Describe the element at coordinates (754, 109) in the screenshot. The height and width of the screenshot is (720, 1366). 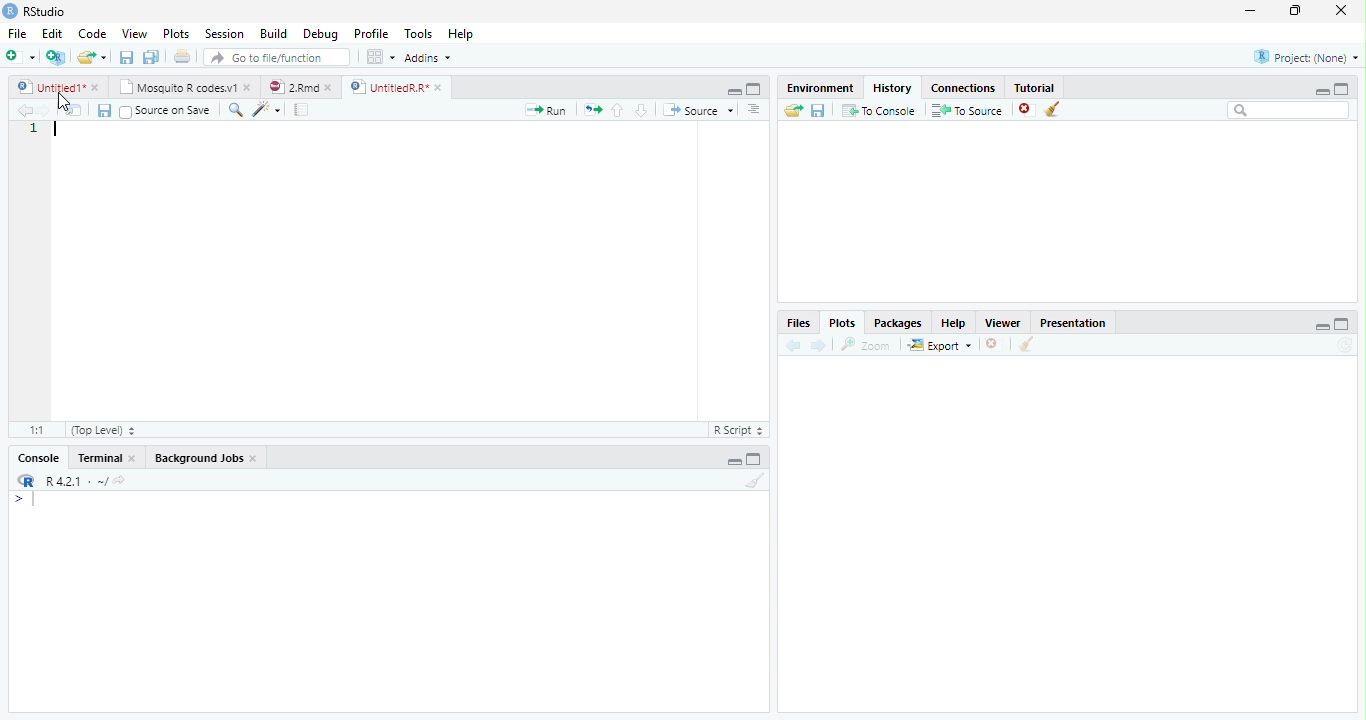
I see `Show document outline` at that location.